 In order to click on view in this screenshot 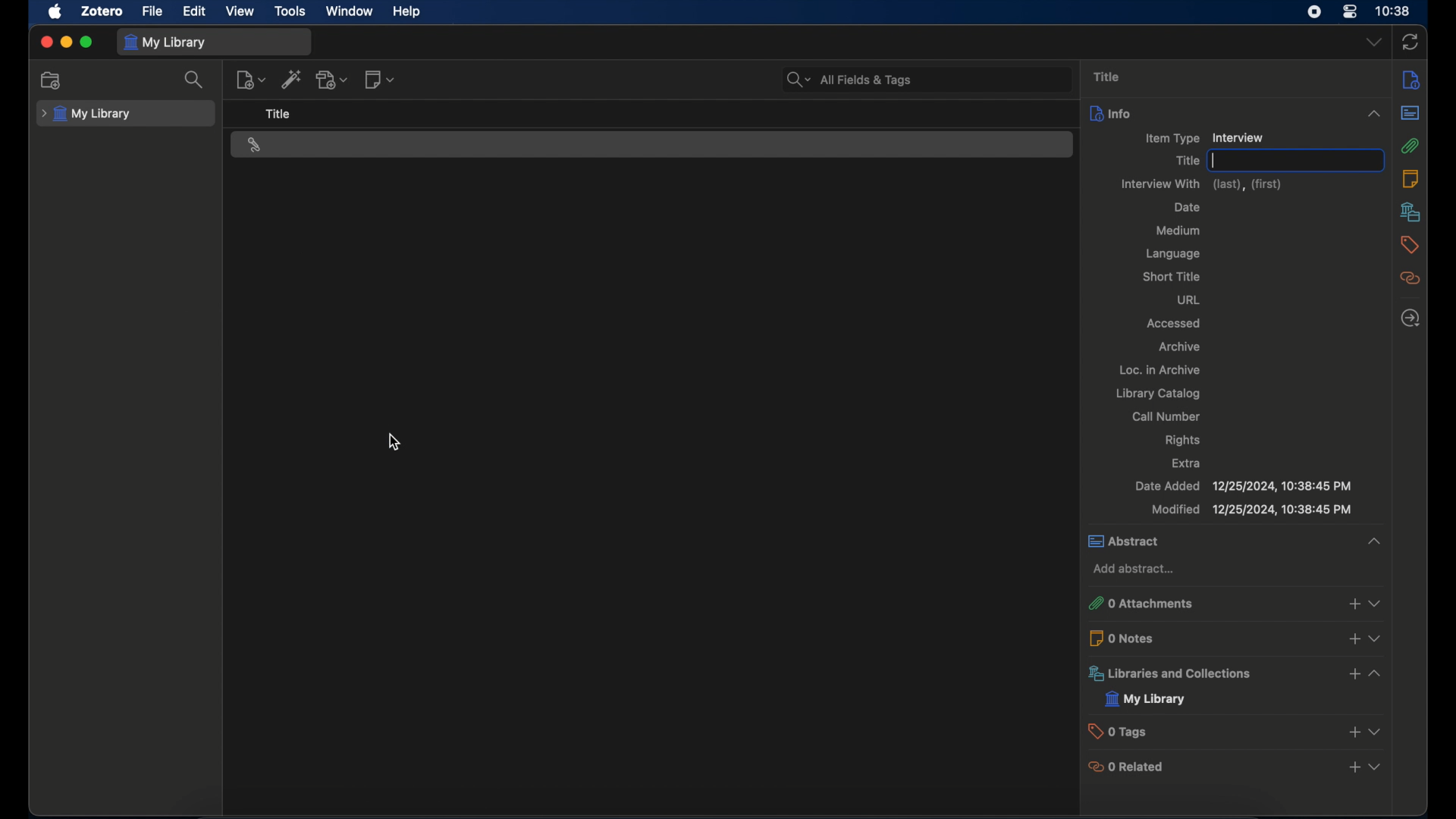, I will do `click(1374, 731)`.